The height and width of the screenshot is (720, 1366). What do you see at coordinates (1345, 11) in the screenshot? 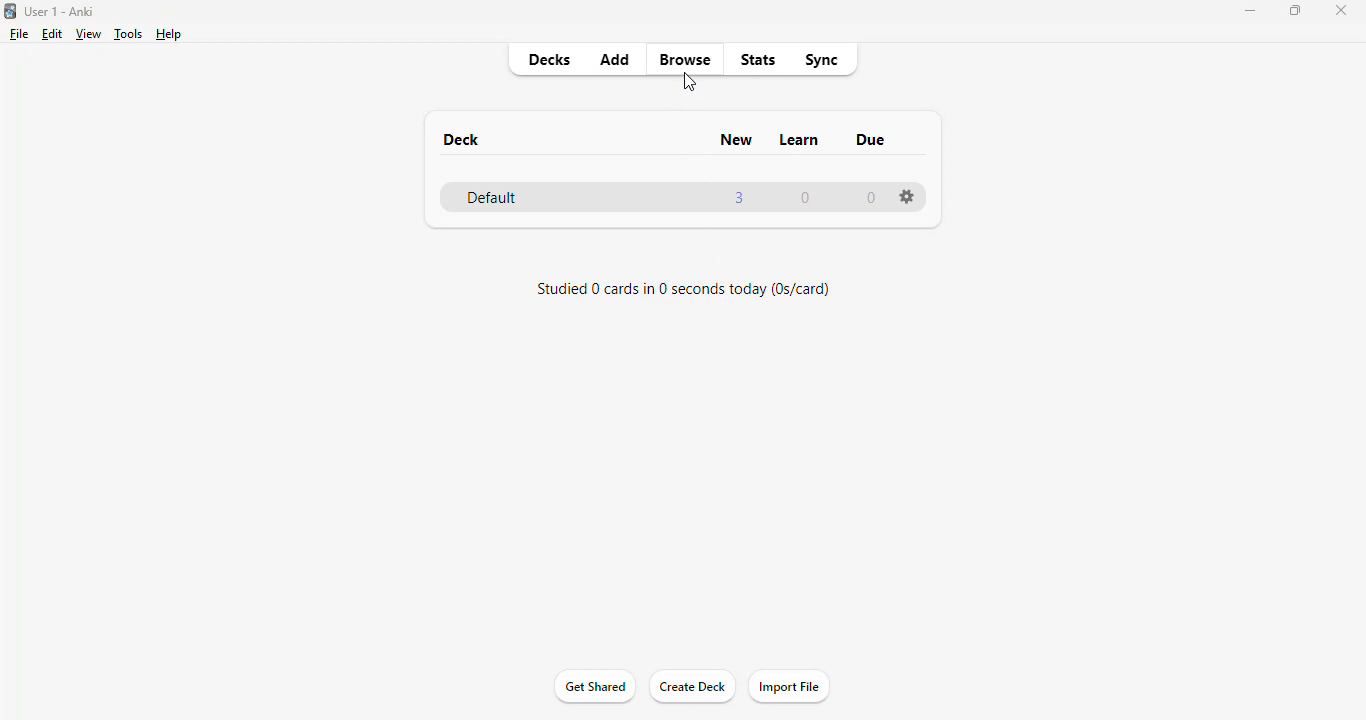
I see `close` at bounding box center [1345, 11].